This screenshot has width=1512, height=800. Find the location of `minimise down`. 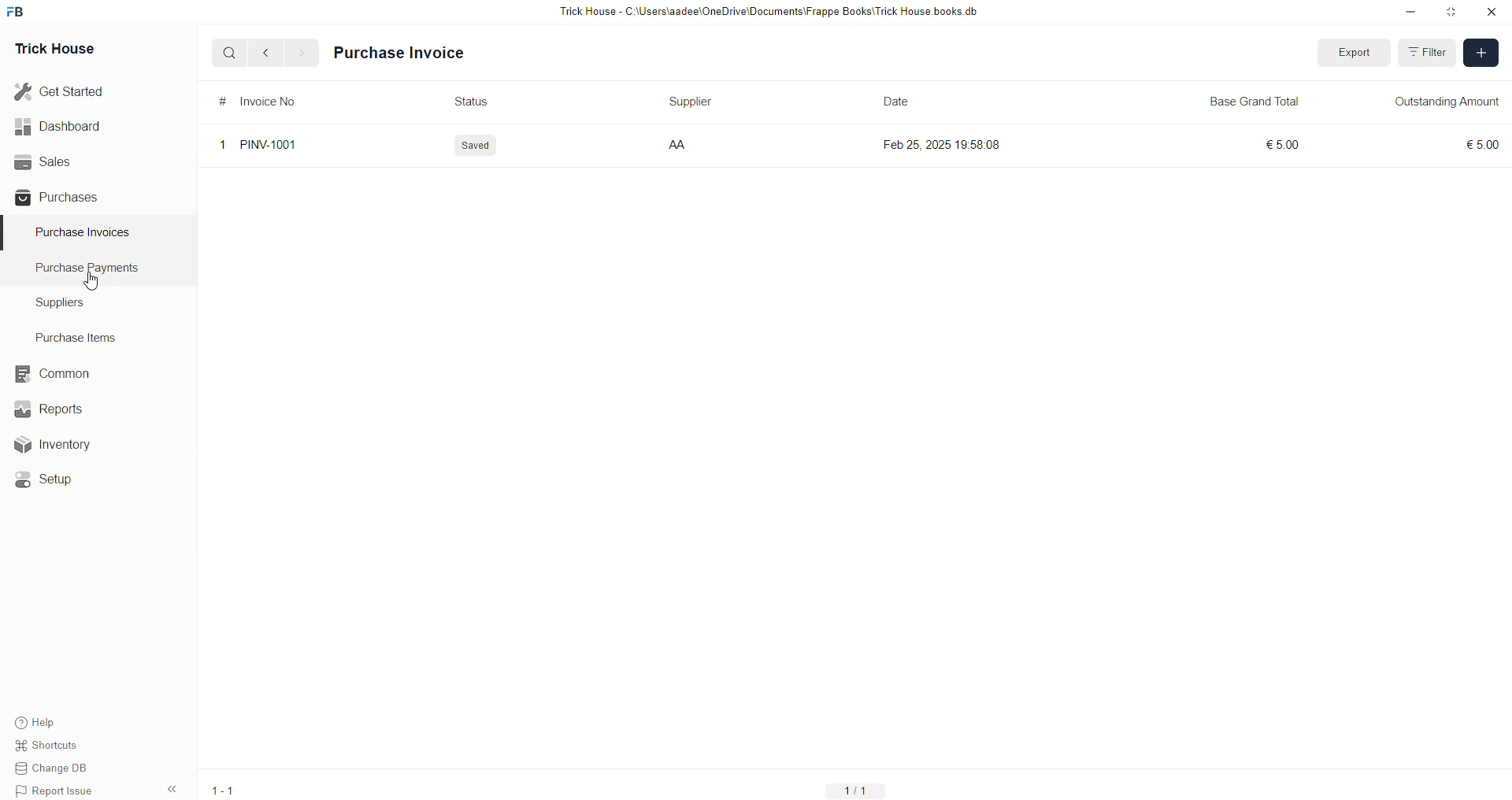

minimise down is located at coordinates (1408, 12).